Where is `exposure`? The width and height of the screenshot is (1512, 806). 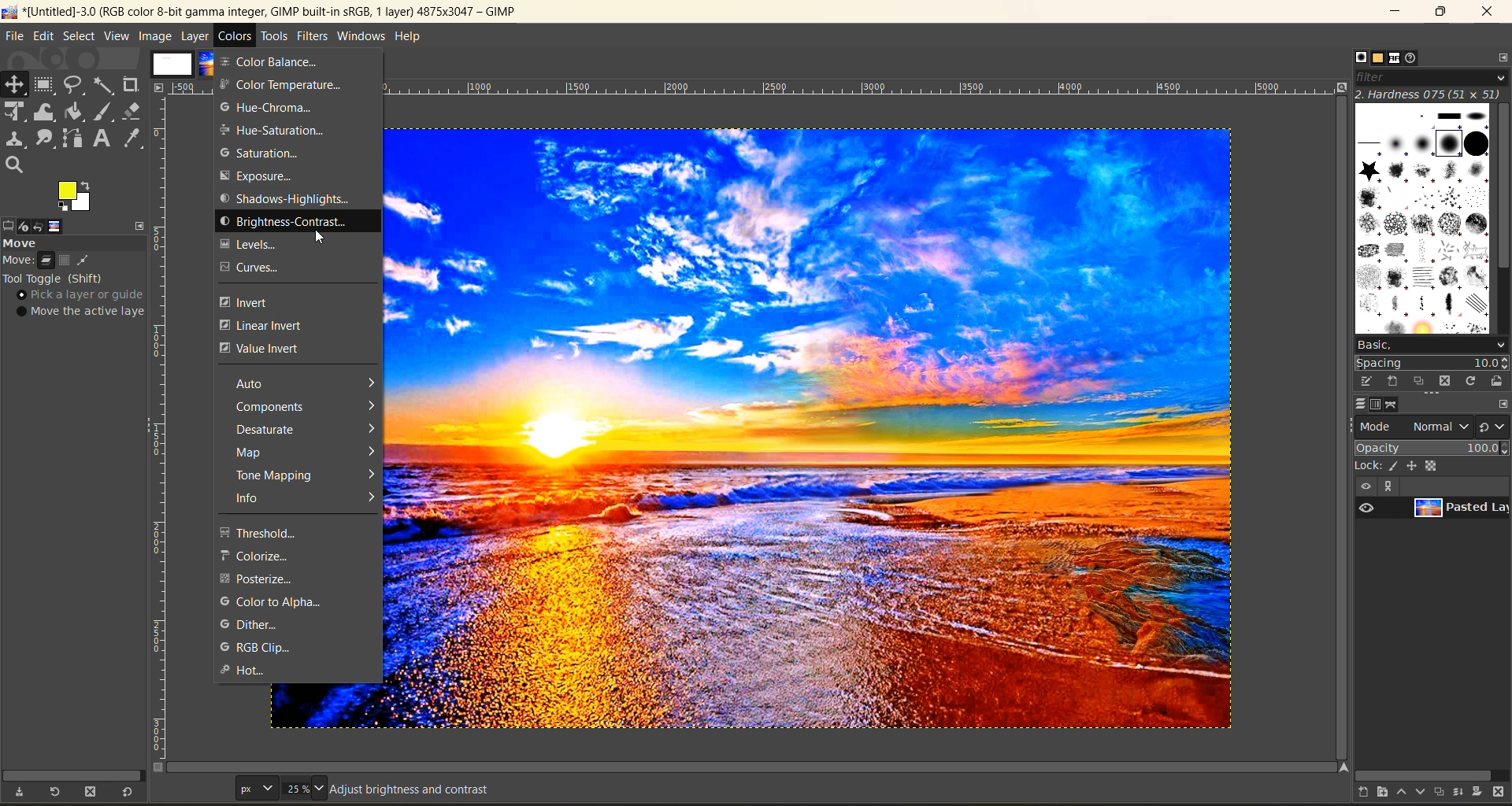 exposure is located at coordinates (269, 176).